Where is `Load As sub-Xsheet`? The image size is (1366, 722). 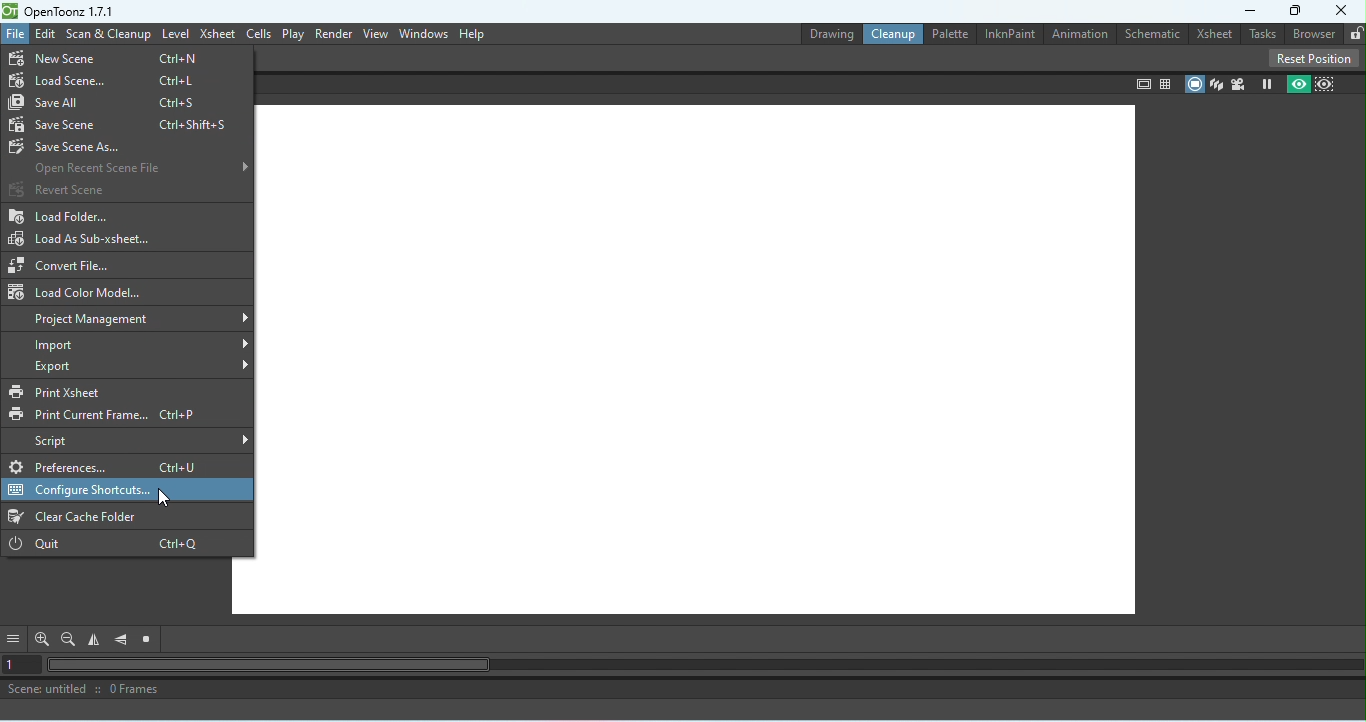
Load As sub-Xsheet is located at coordinates (88, 238).